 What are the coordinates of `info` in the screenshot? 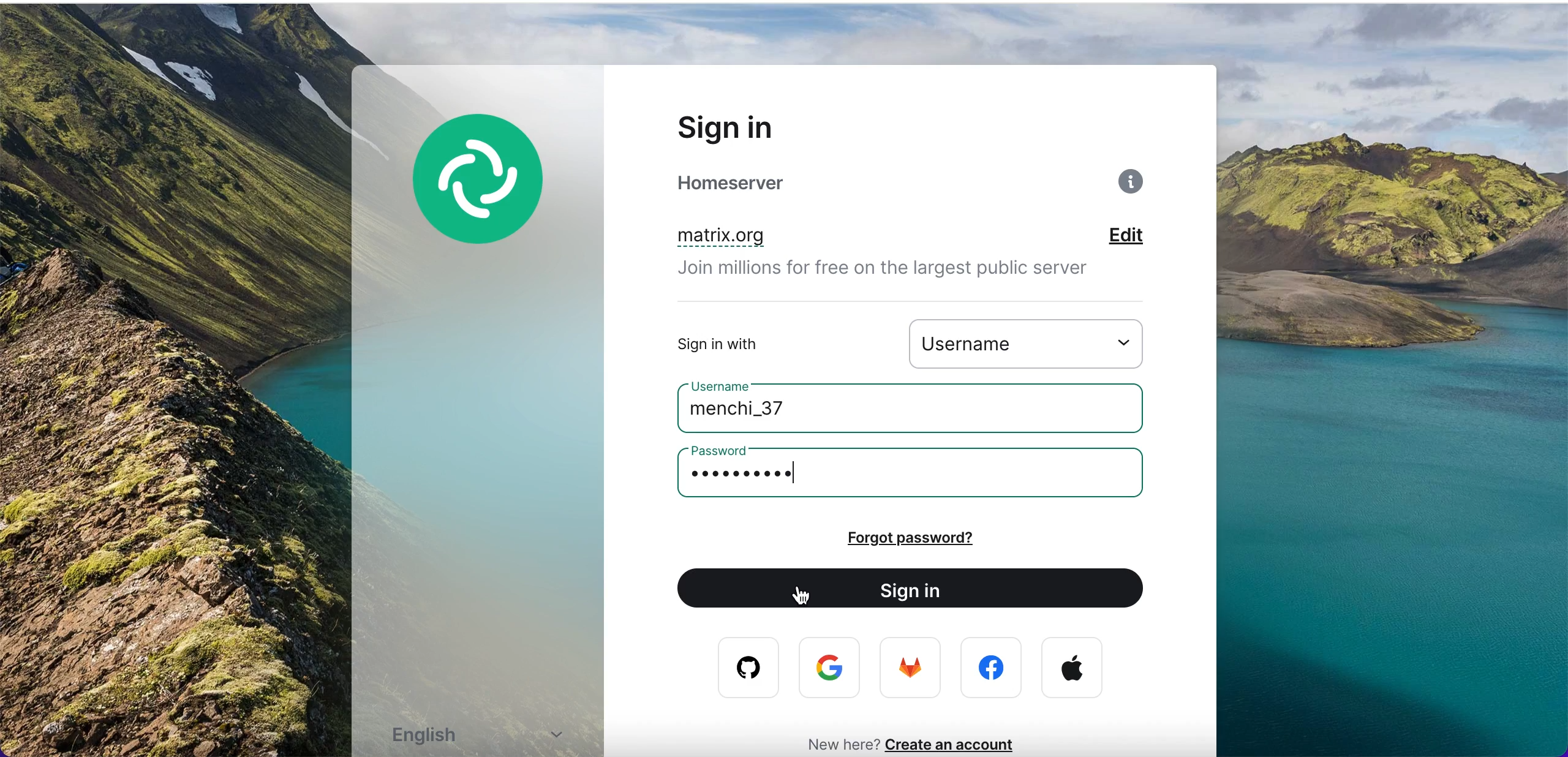 It's located at (1134, 186).